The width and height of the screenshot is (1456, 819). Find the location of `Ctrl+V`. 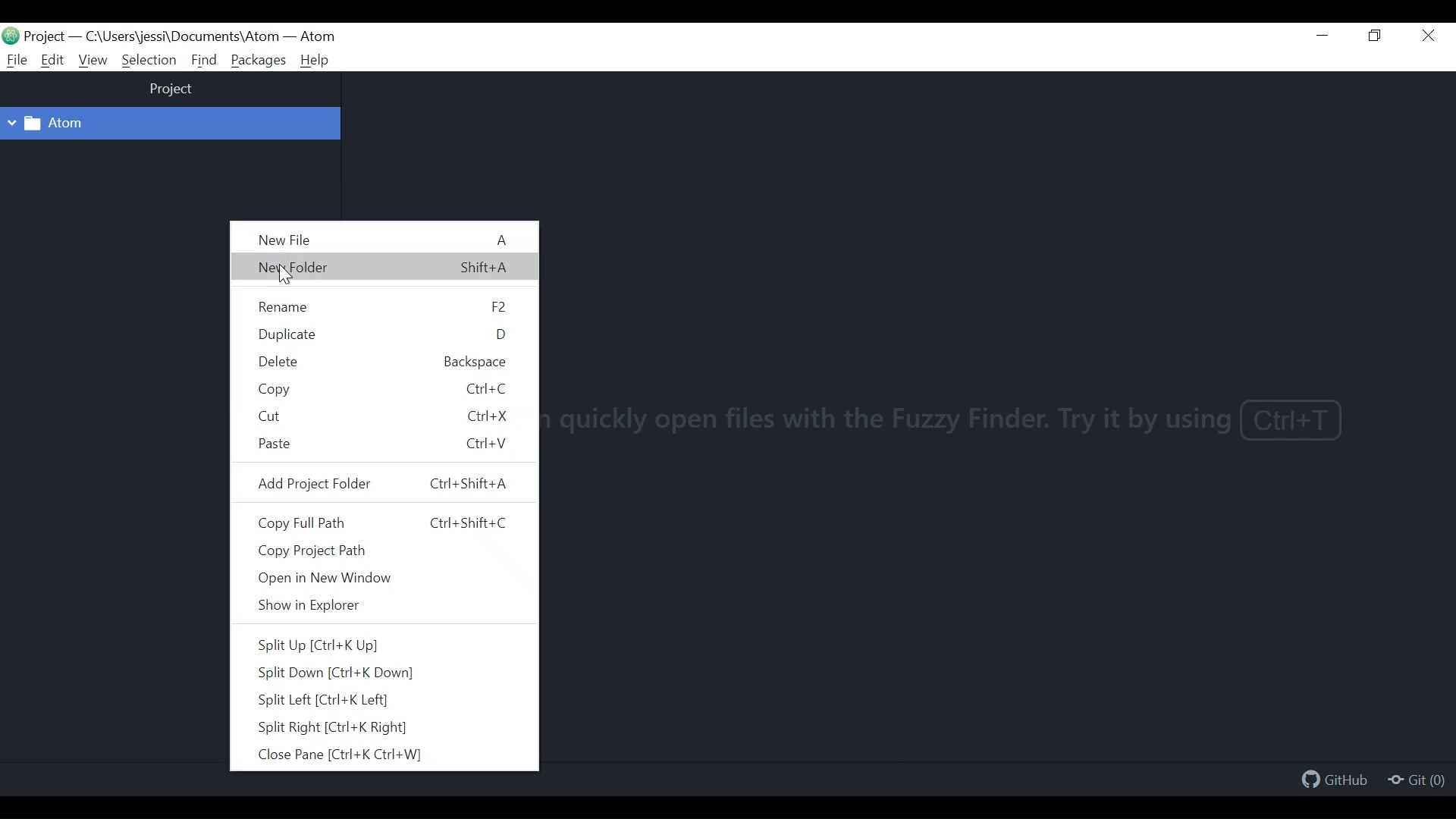

Ctrl+V is located at coordinates (485, 444).